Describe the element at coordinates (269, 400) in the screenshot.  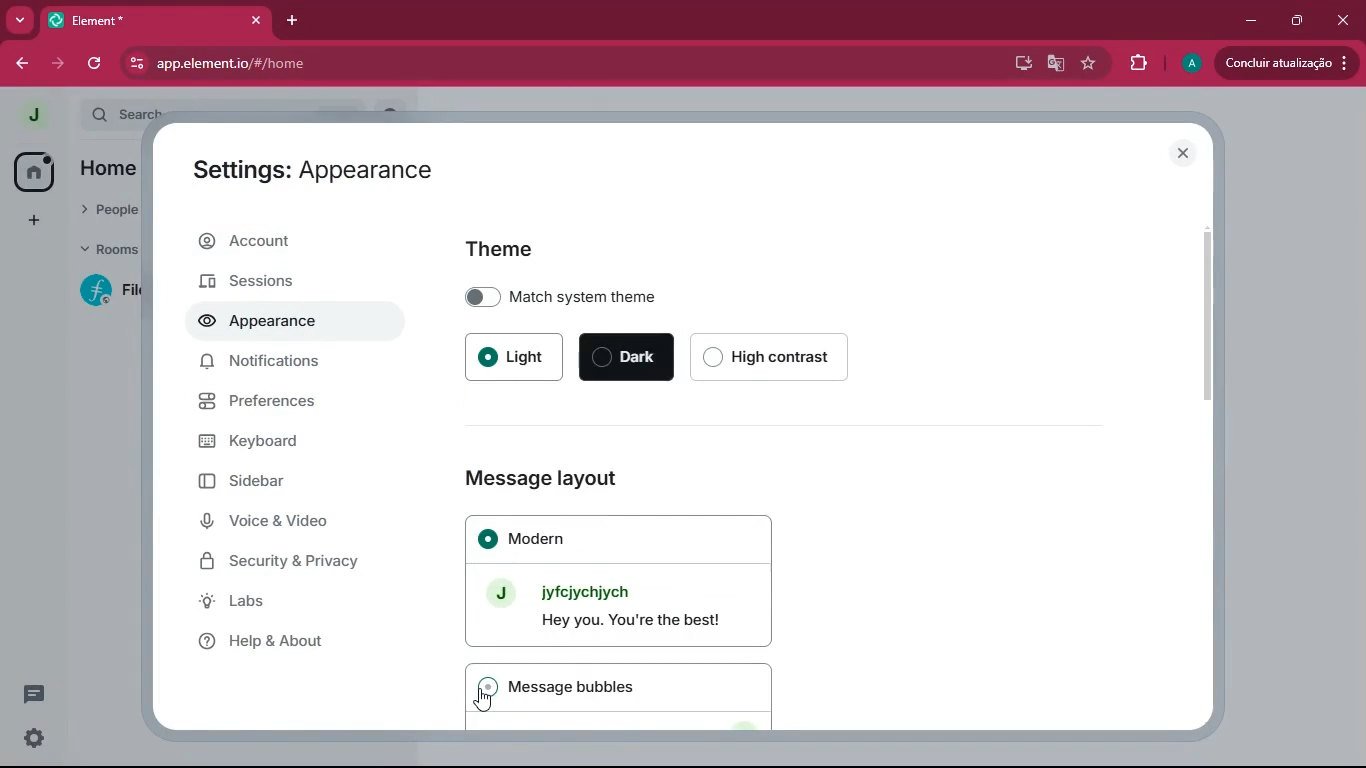
I see `Preferences` at that location.